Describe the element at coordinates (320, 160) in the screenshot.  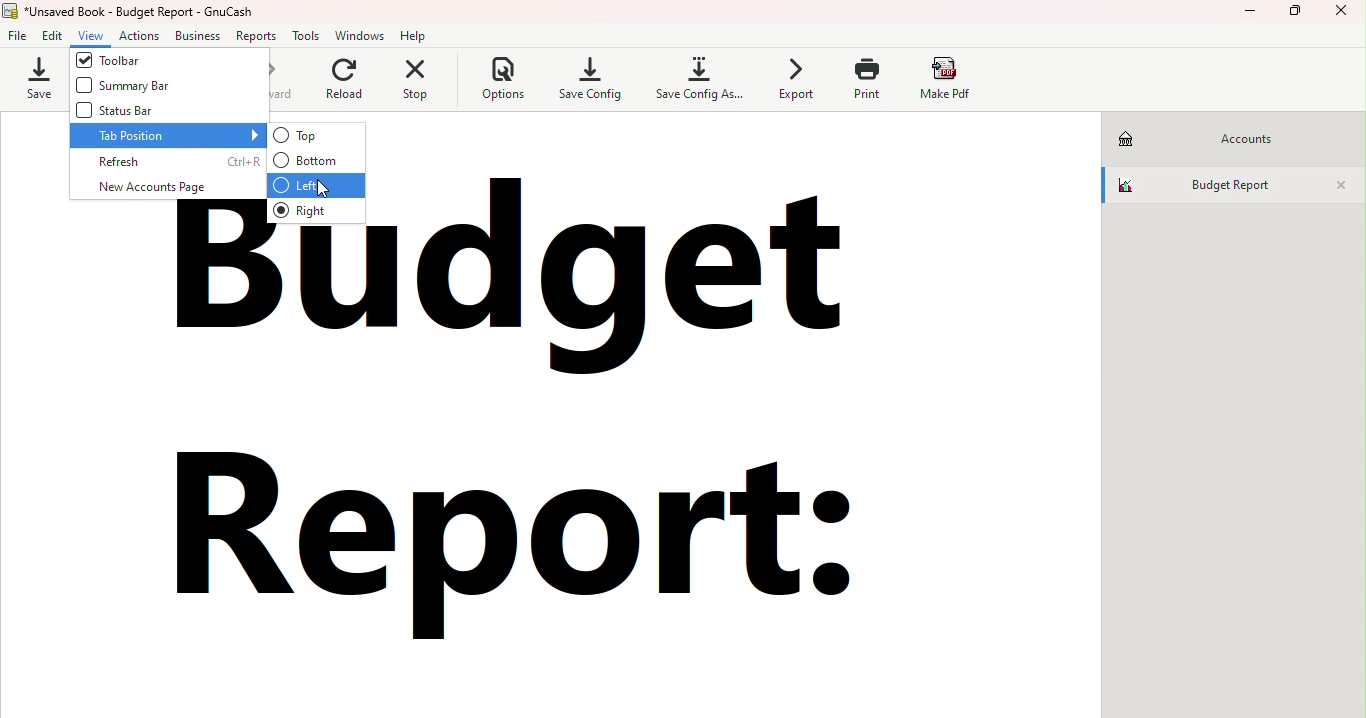
I see `Bottom` at that location.